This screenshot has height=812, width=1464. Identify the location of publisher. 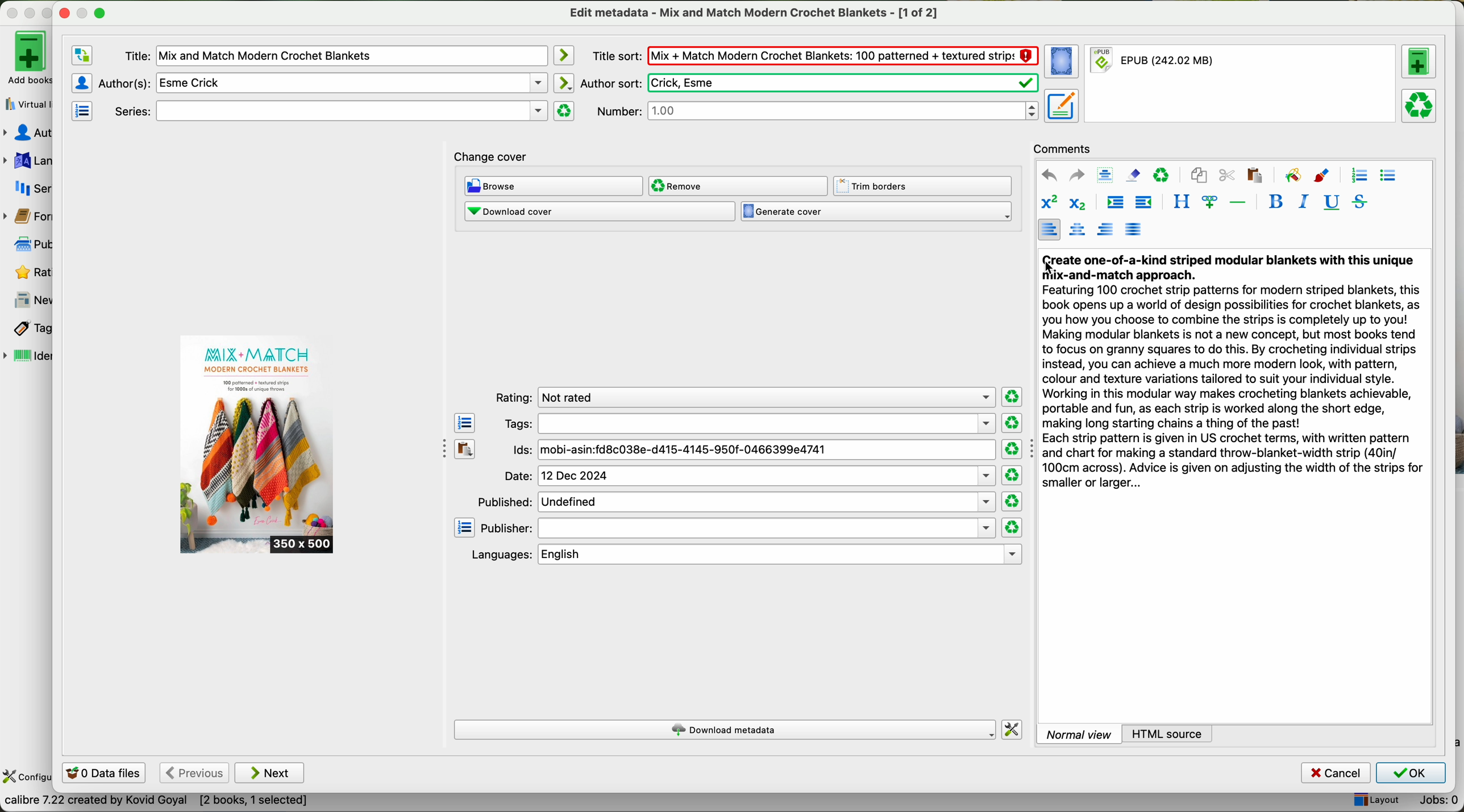
(738, 528).